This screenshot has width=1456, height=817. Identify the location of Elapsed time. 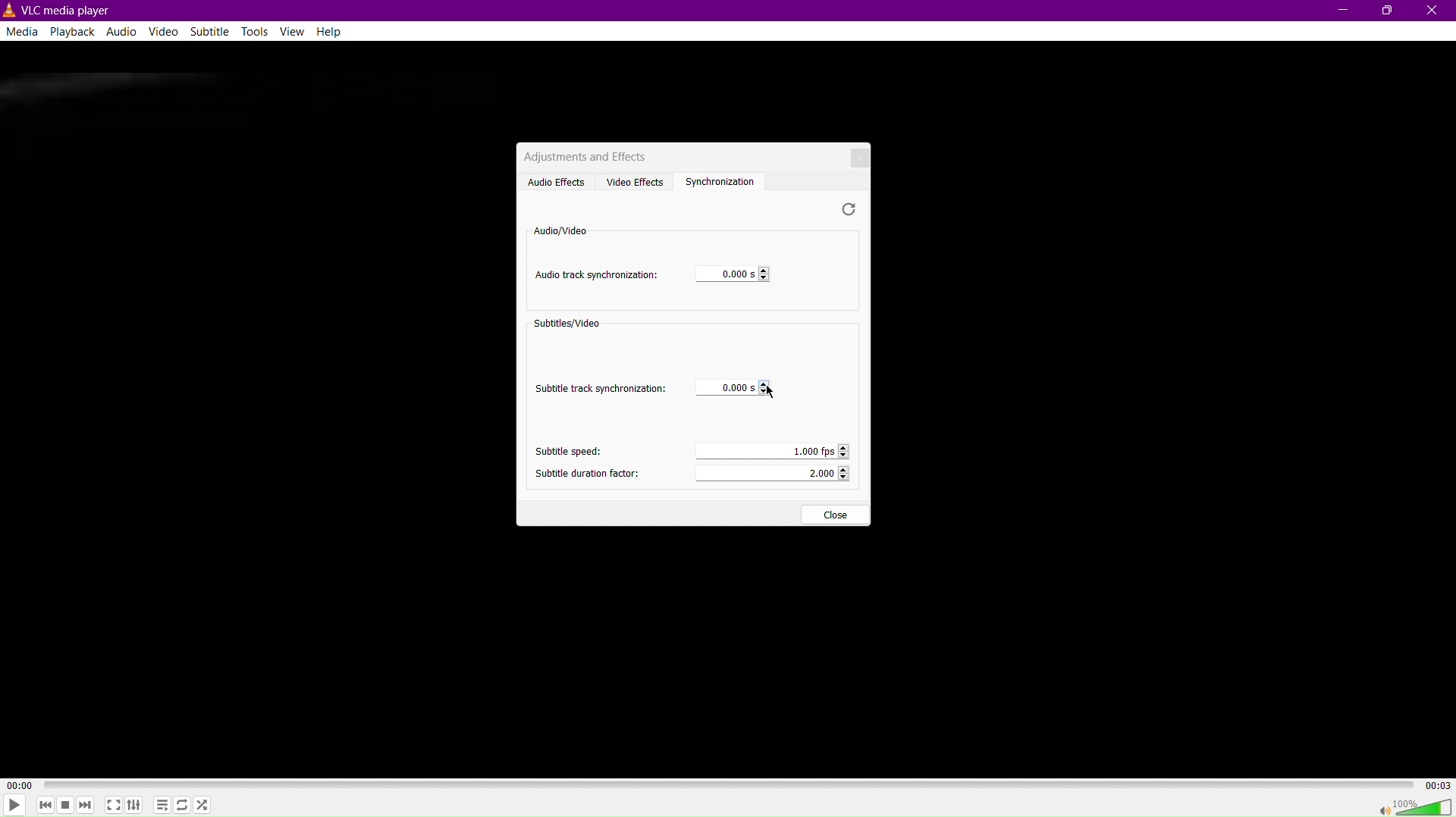
(17, 784).